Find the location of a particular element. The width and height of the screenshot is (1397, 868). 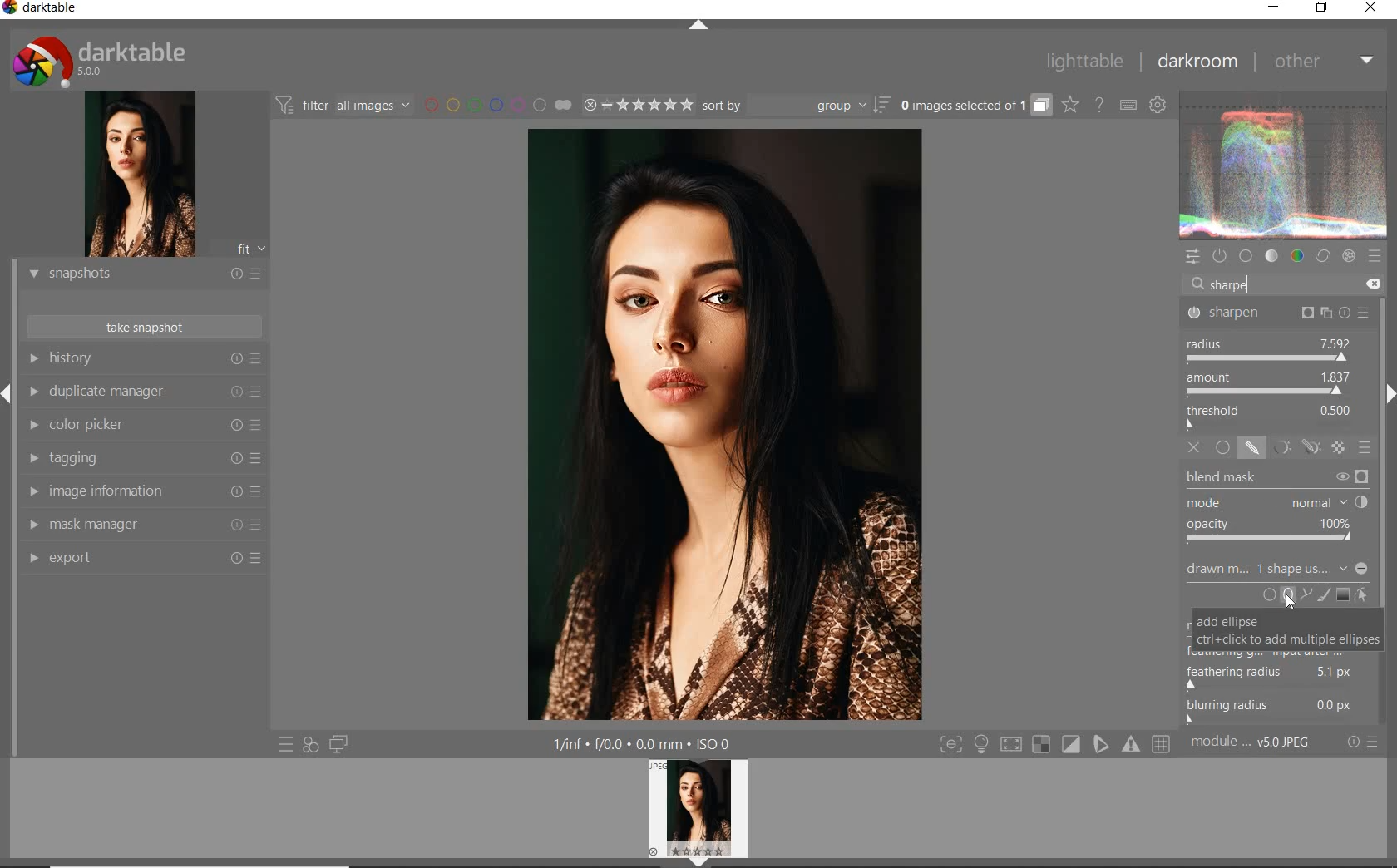

DARKROOM is located at coordinates (1197, 62).